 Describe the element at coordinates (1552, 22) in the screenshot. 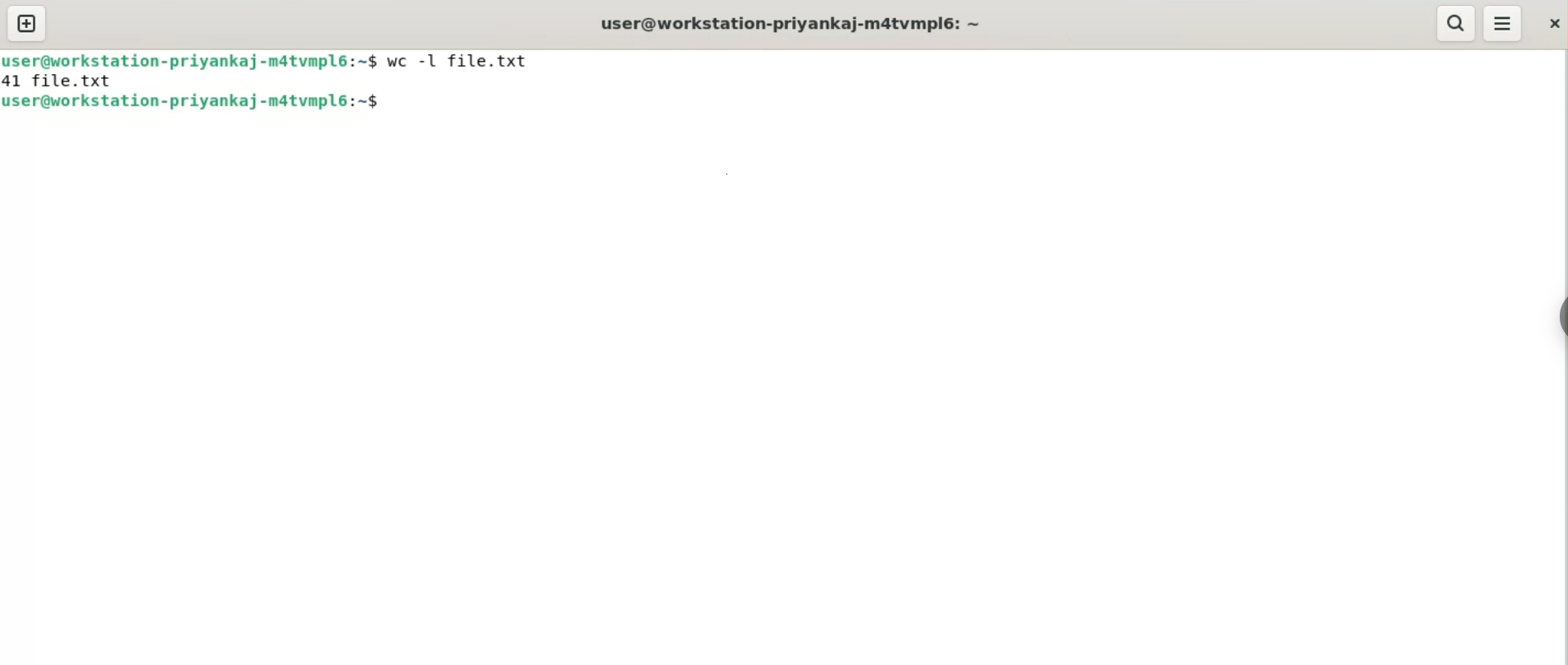

I see `close` at that location.